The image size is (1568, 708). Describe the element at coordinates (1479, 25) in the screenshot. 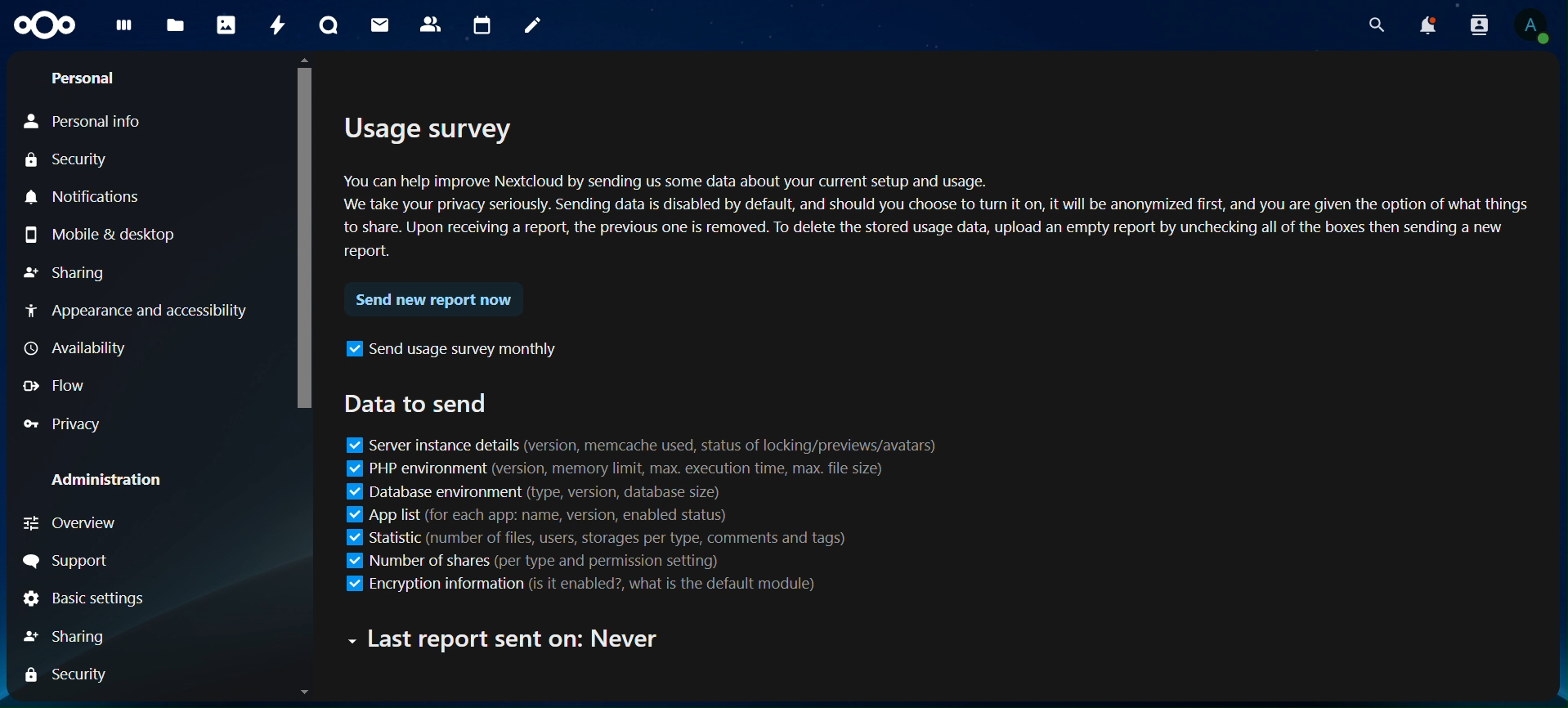

I see `search contacts` at that location.